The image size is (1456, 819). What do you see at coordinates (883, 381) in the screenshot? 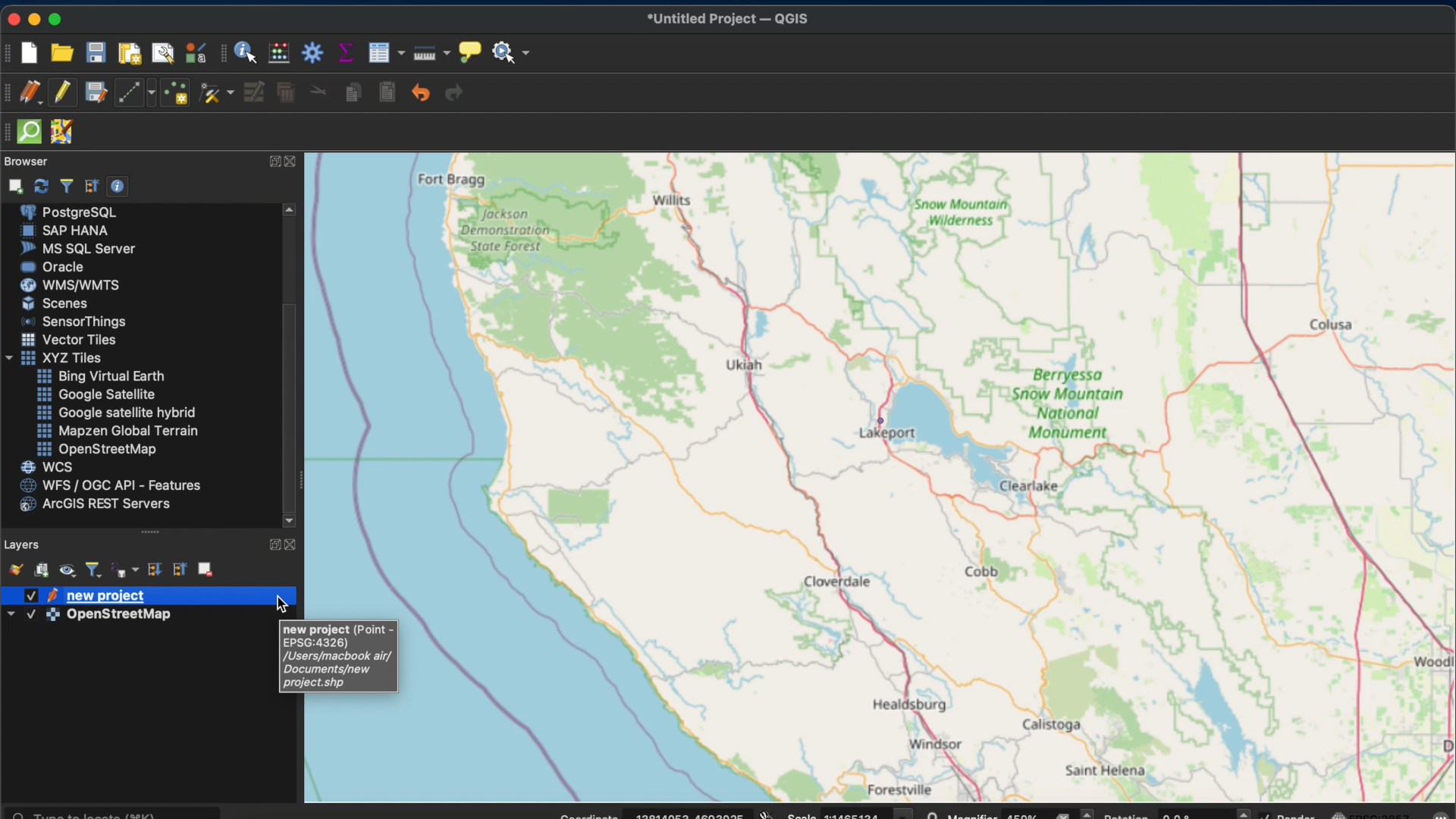
I see `open street map` at bounding box center [883, 381].